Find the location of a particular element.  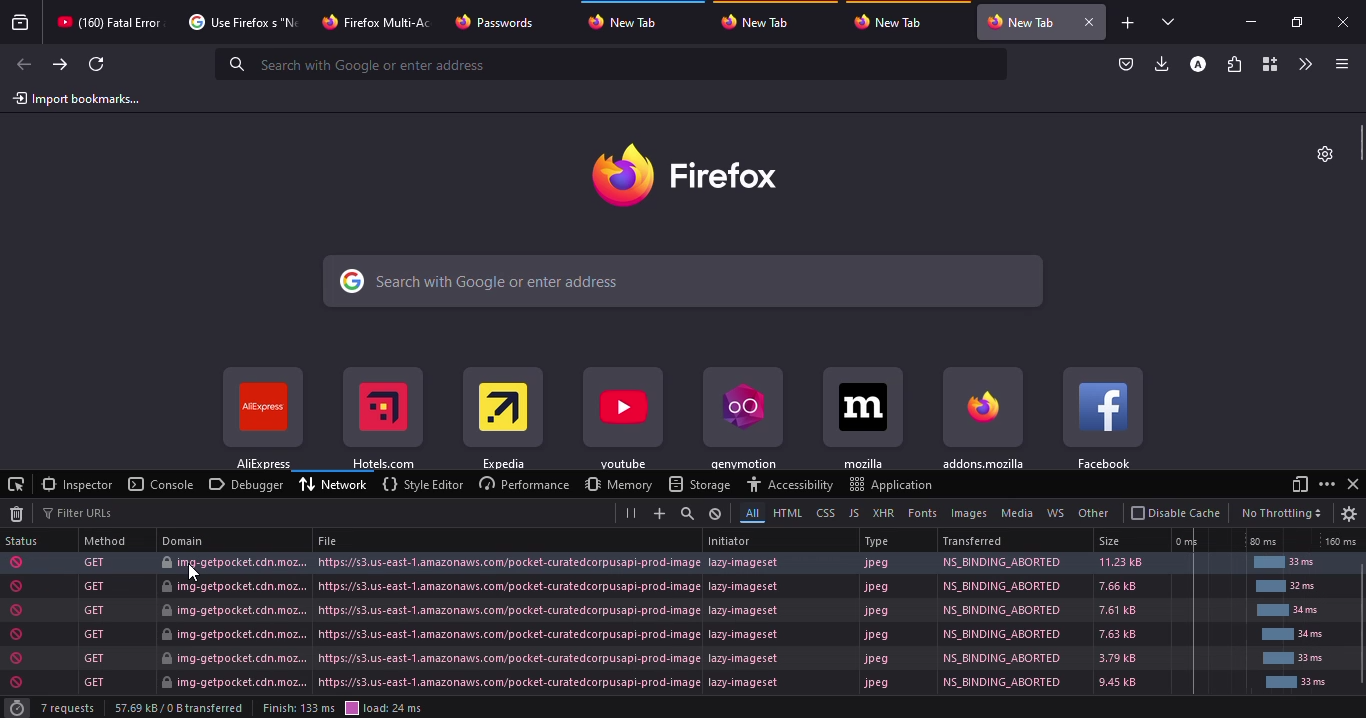

filter urls is located at coordinates (79, 511).